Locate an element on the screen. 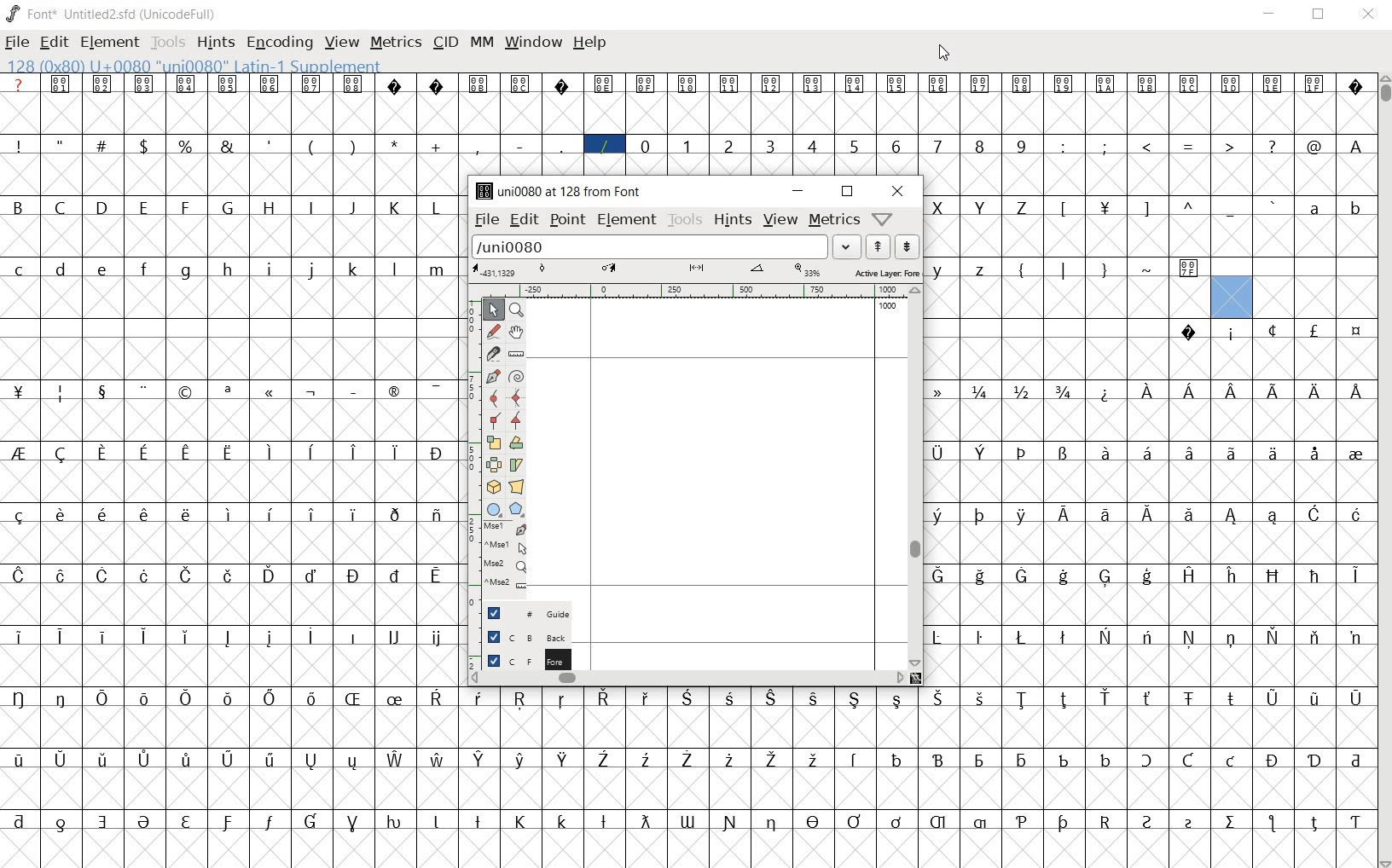  glyph is located at coordinates (1105, 822).